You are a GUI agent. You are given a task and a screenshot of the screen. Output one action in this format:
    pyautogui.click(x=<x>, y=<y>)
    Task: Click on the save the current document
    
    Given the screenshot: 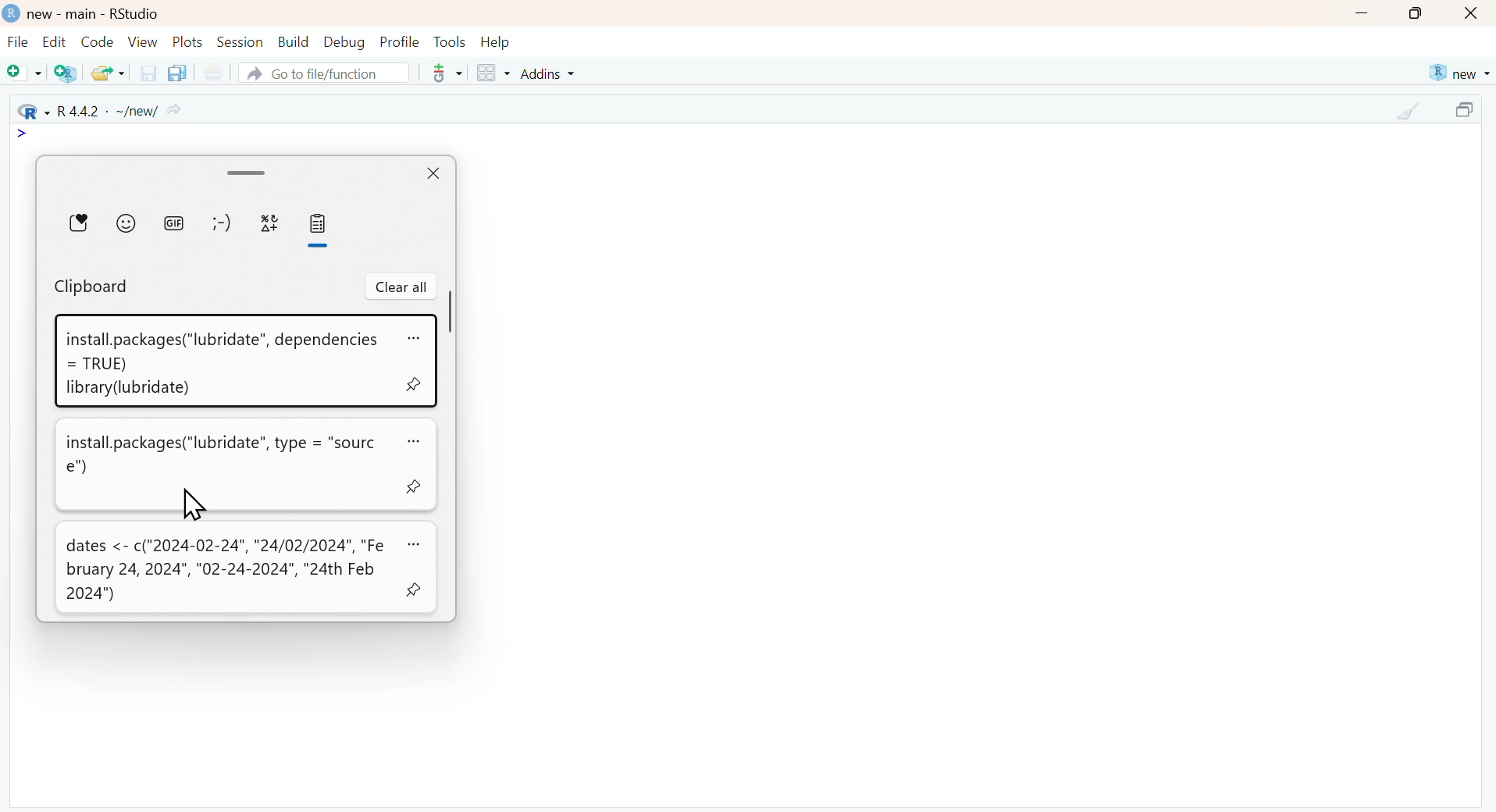 What is the action you would take?
    pyautogui.click(x=146, y=73)
    